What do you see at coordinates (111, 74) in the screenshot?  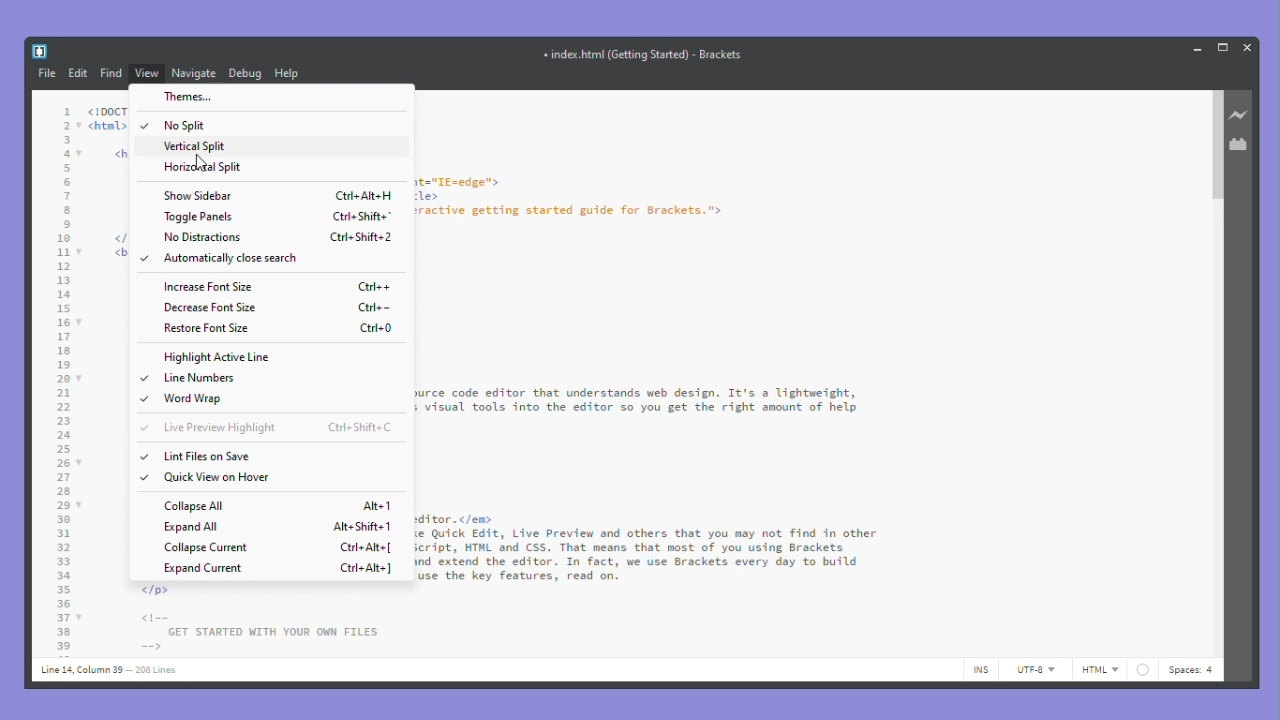 I see `Find` at bounding box center [111, 74].